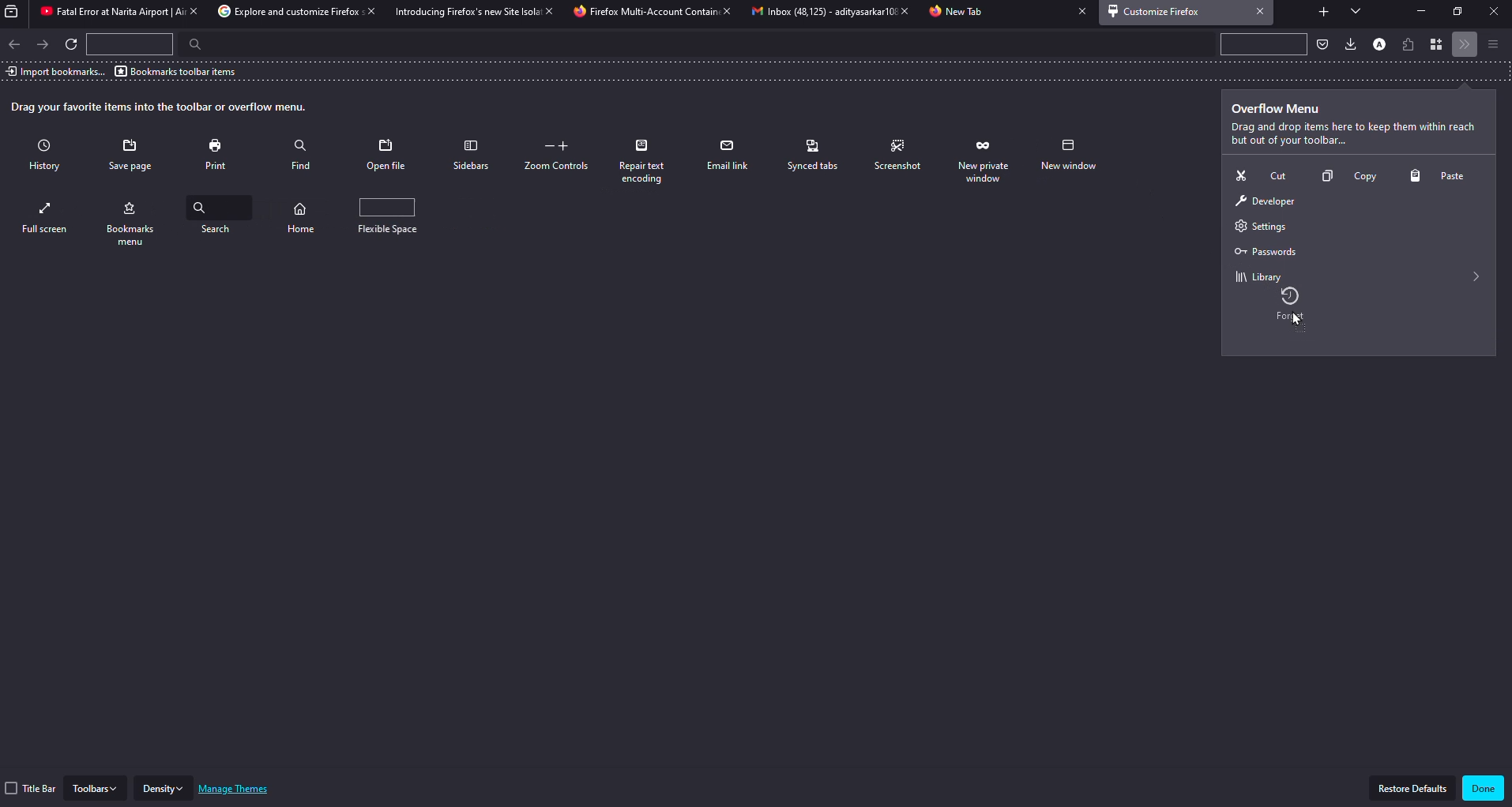 Image resolution: width=1512 pixels, height=807 pixels. I want to click on open file, so click(388, 155).